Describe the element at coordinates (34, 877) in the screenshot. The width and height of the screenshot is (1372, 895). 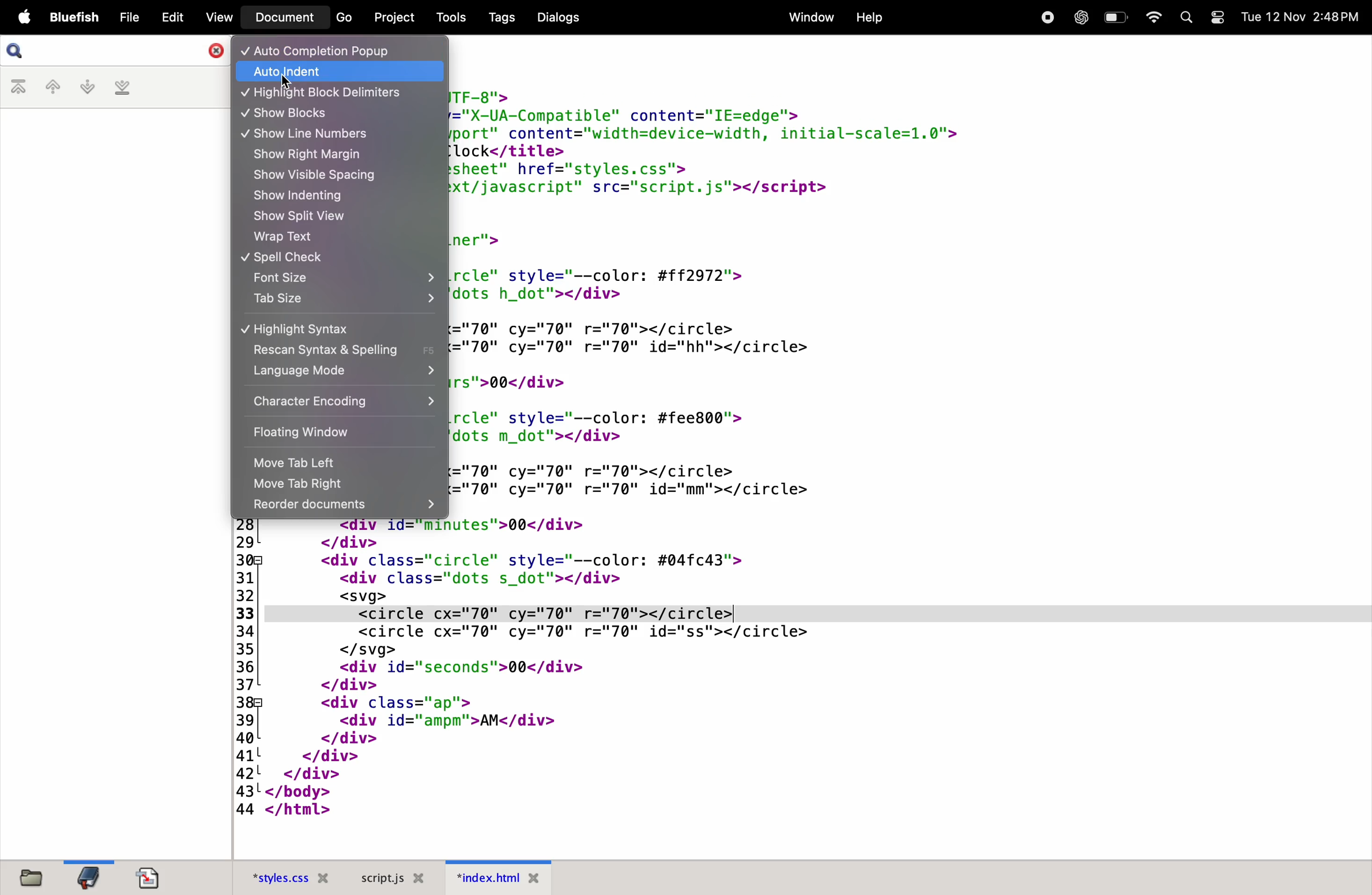
I see `files` at that location.